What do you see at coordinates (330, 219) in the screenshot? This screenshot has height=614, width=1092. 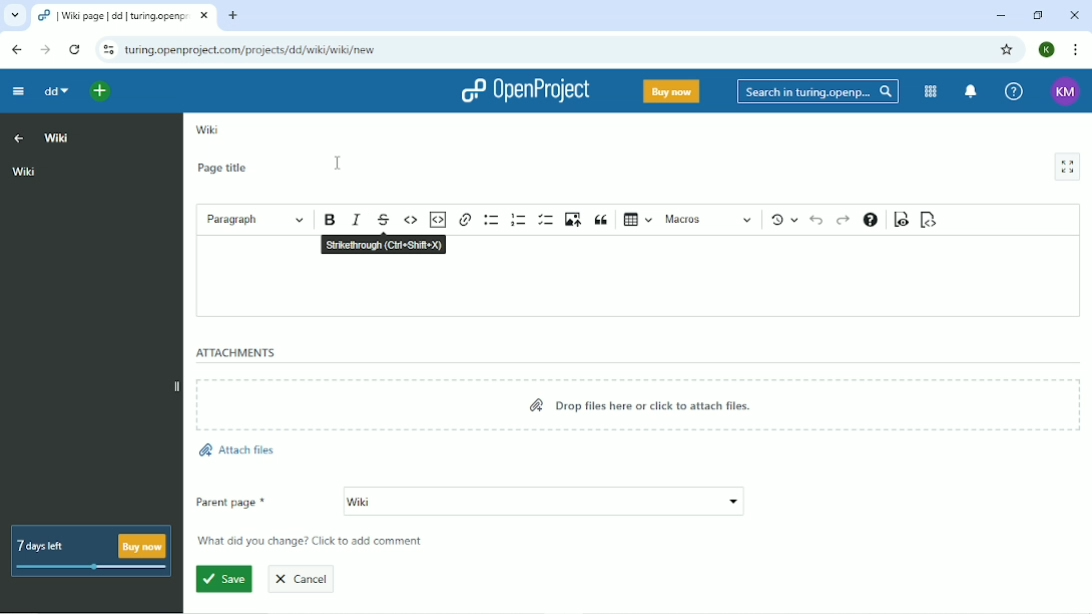 I see `Bold` at bounding box center [330, 219].